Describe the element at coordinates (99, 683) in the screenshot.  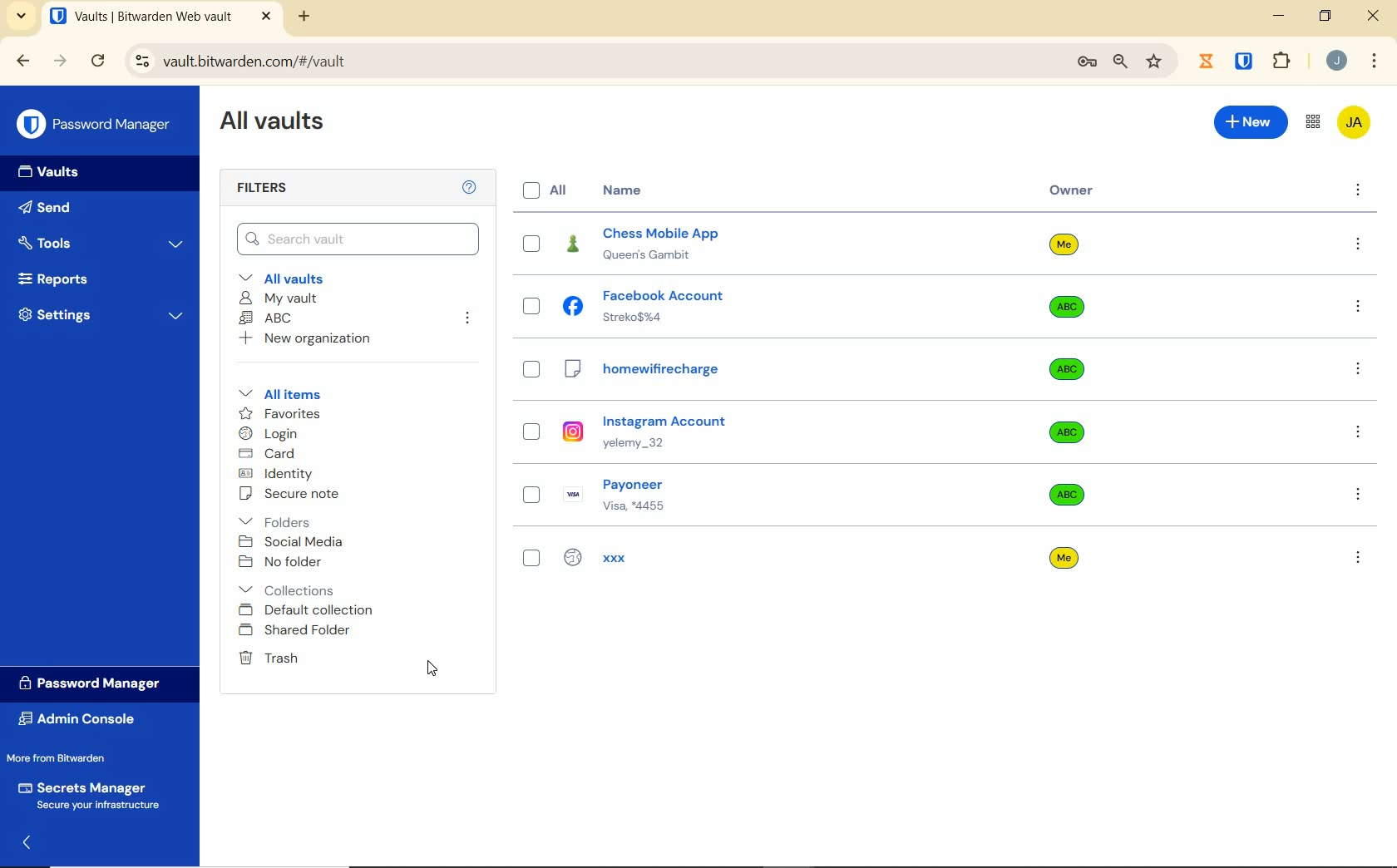
I see `Password Manager` at that location.